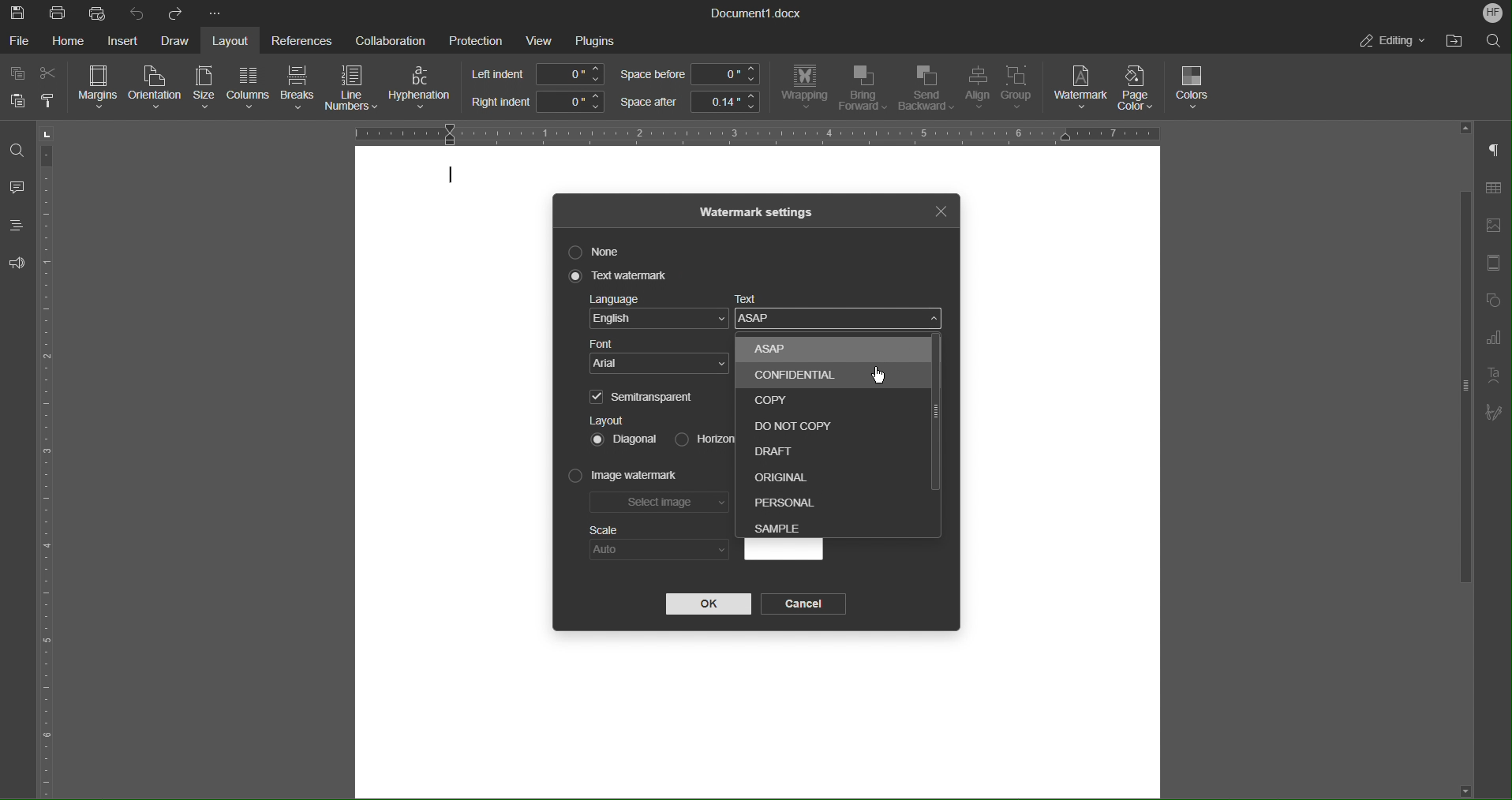 This screenshot has width=1512, height=800. I want to click on Hyphenation, so click(423, 88).